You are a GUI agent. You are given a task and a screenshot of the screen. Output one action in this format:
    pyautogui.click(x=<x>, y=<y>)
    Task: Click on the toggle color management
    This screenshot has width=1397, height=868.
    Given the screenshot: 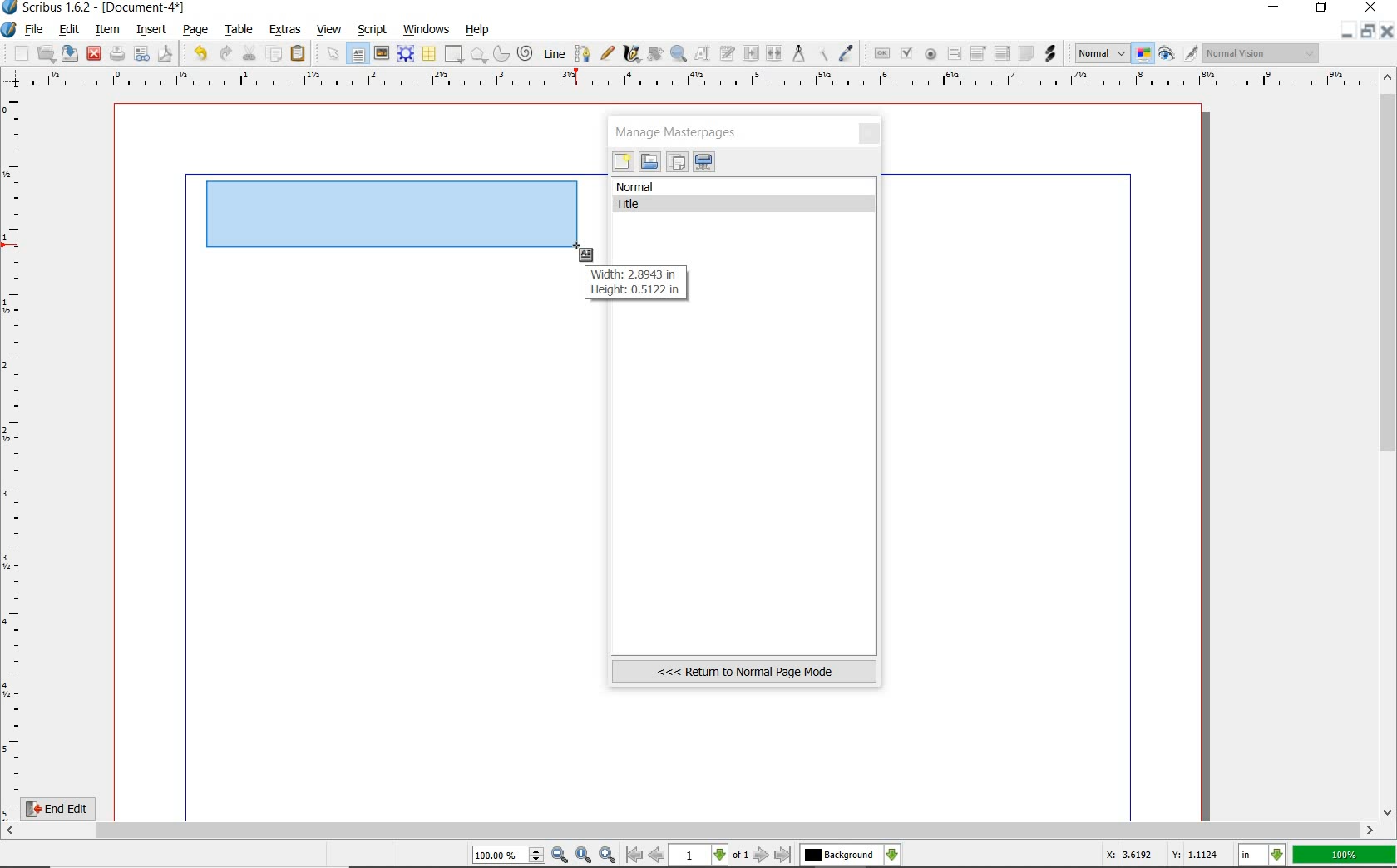 What is the action you would take?
    pyautogui.click(x=1144, y=55)
    